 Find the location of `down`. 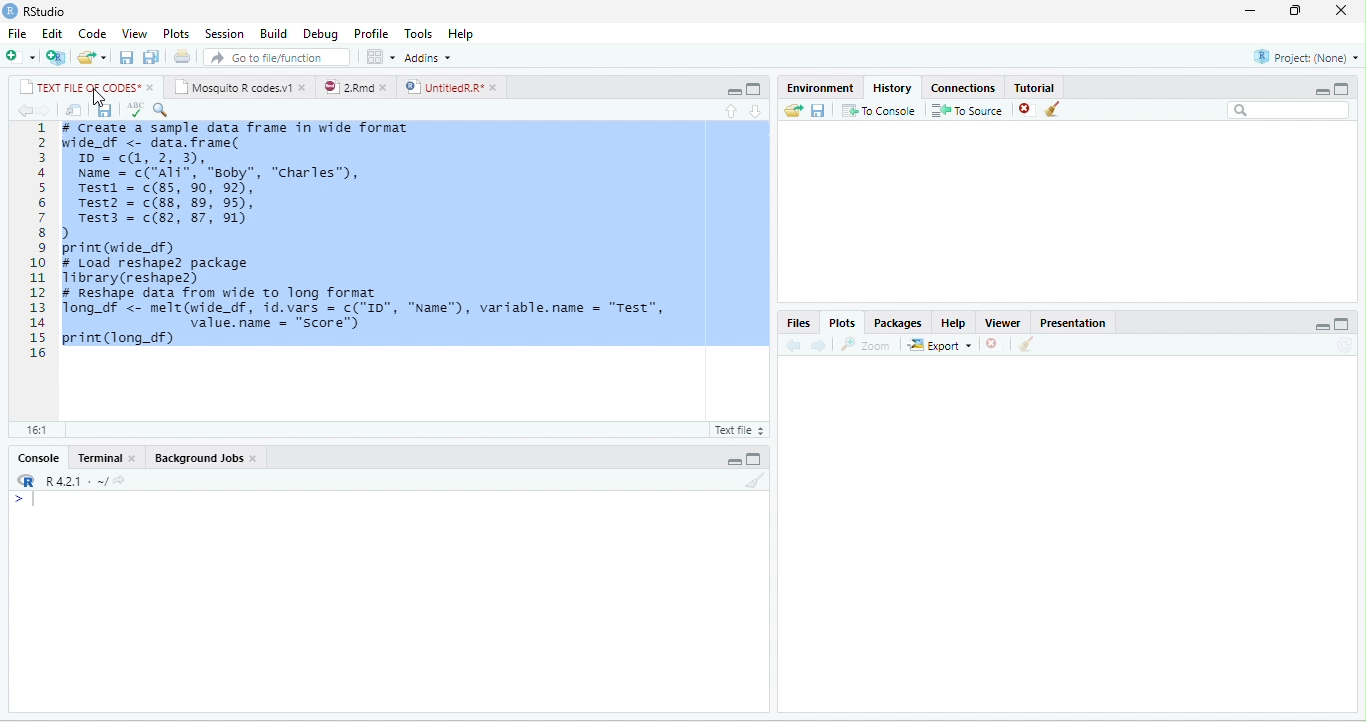

down is located at coordinates (757, 112).